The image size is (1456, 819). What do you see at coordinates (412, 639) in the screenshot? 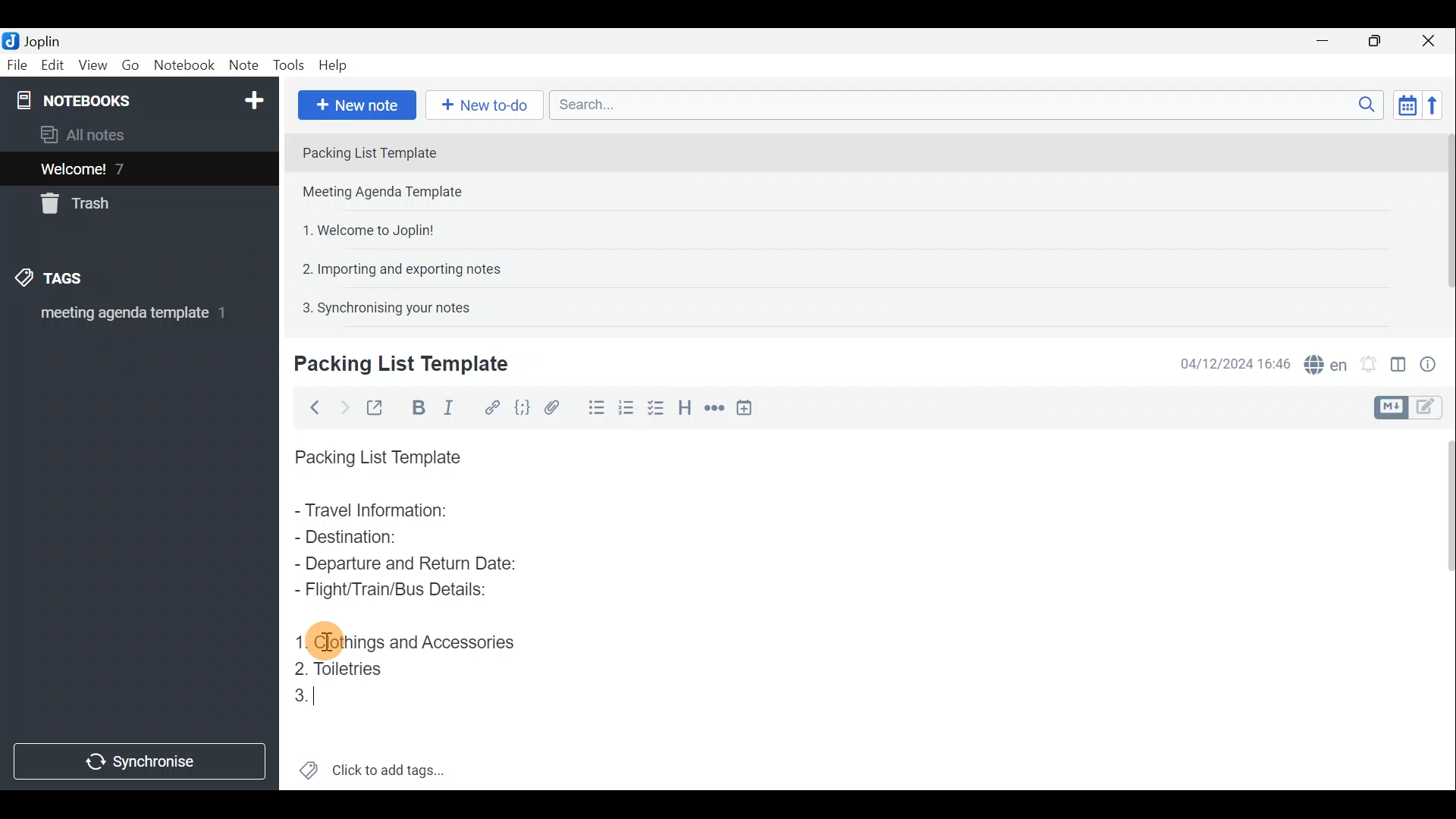
I see `Clothings and Accessories` at bounding box center [412, 639].